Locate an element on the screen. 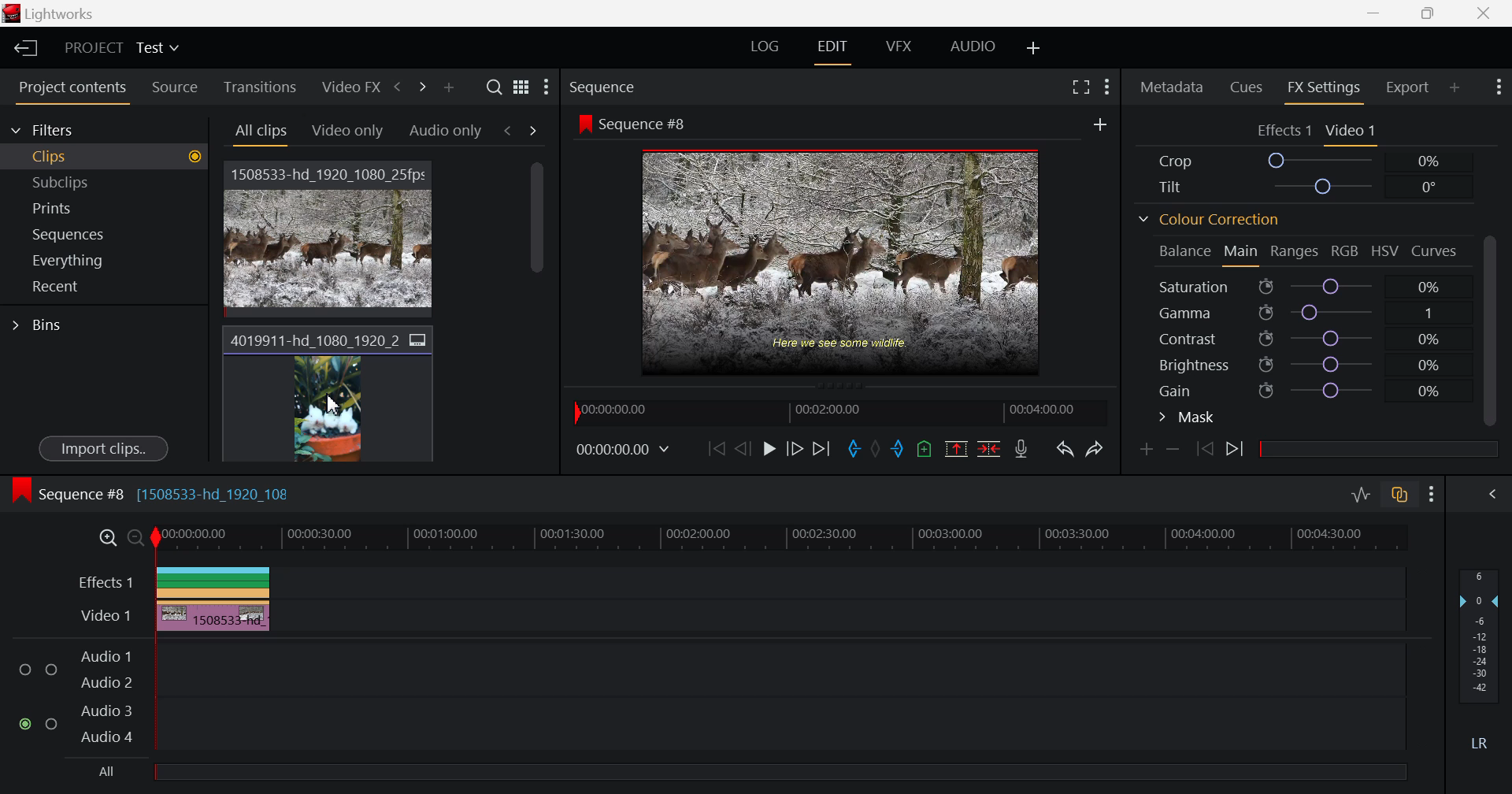  Video FX is located at coordinates (350, 87).